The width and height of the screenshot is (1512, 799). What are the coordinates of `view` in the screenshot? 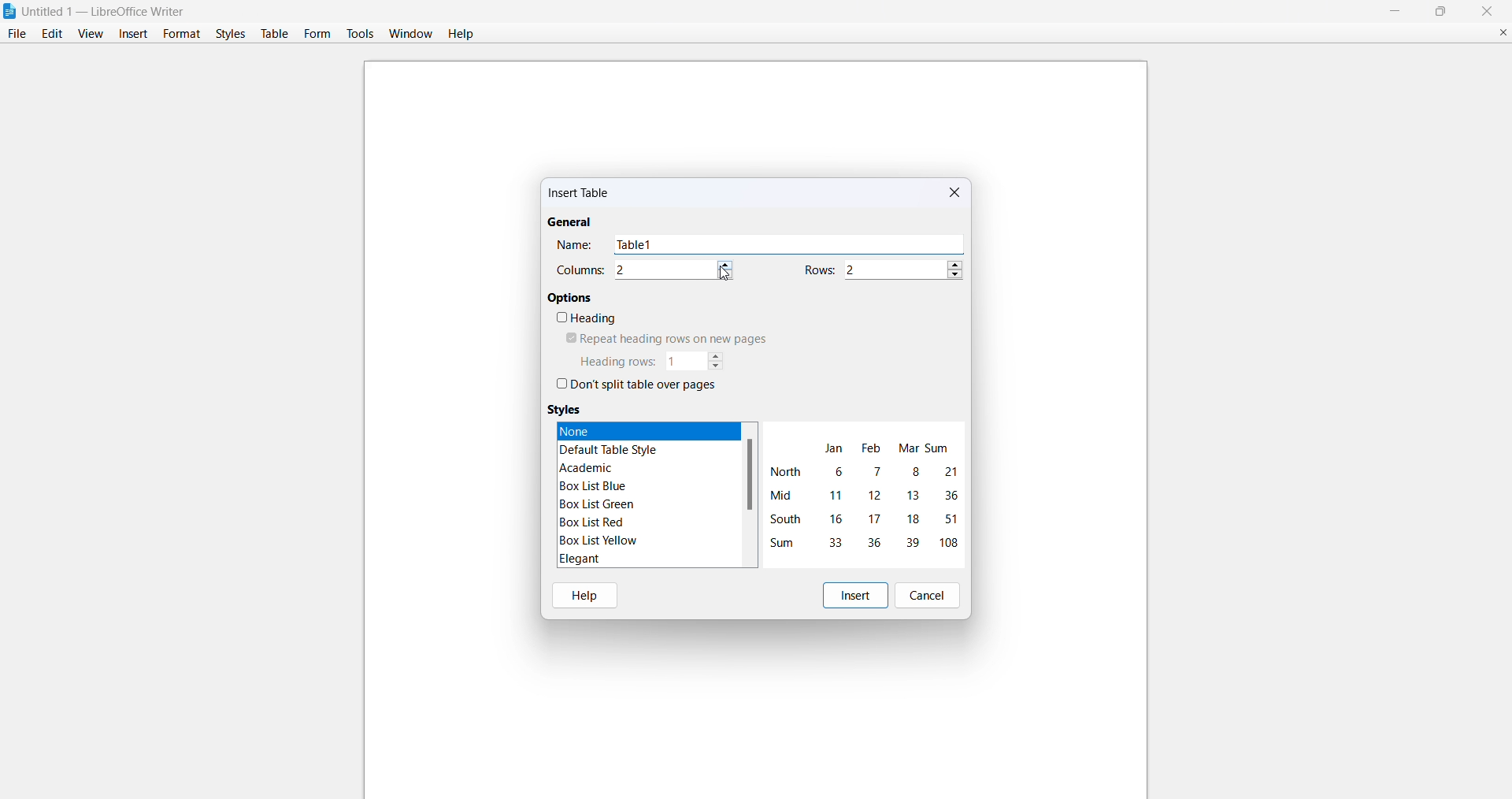 It's located at (90, 33).